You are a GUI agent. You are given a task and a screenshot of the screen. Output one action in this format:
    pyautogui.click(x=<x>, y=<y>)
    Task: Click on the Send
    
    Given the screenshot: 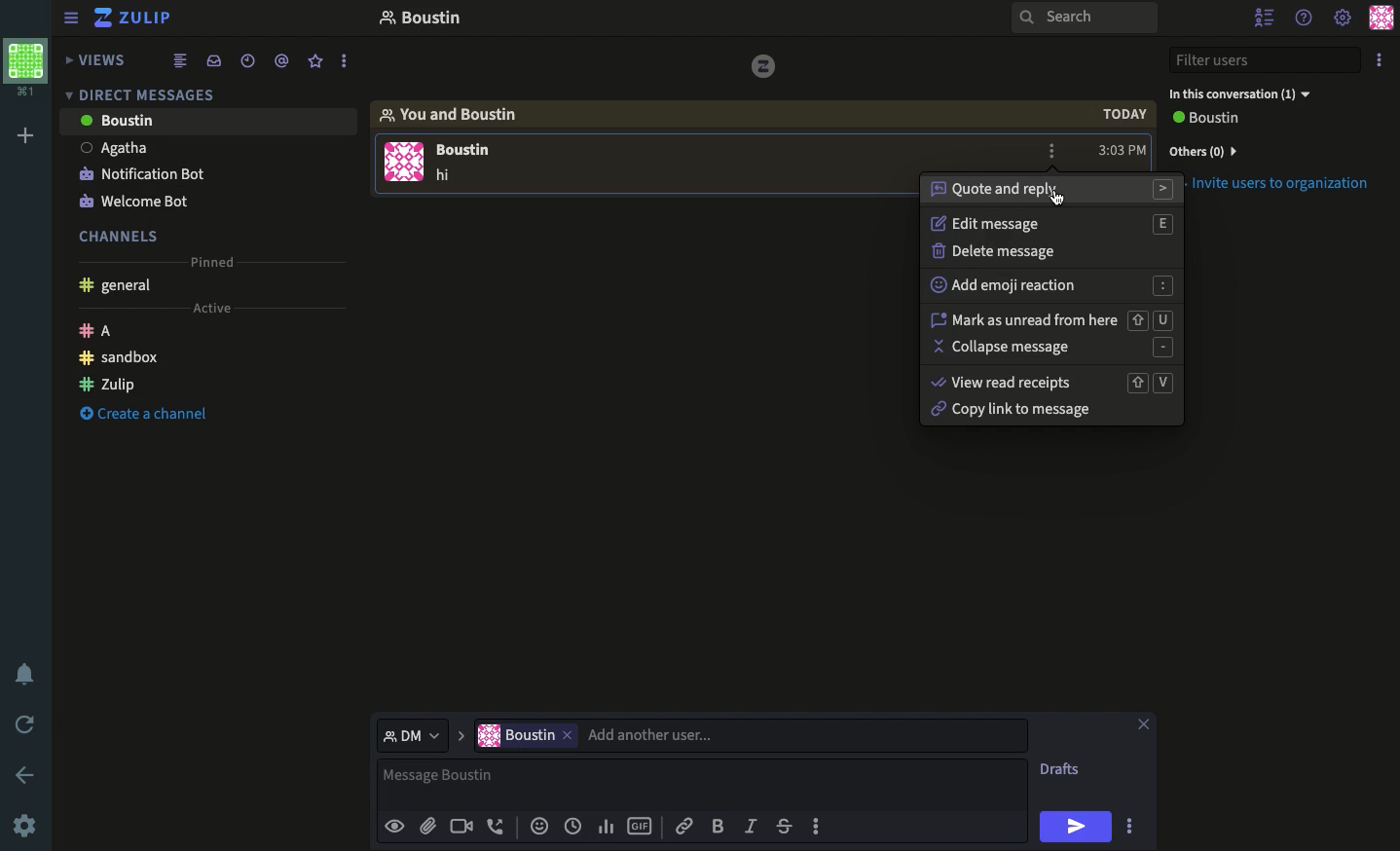 What is the action you would take?
    pyautogui.click(x=1079, y=826)
    